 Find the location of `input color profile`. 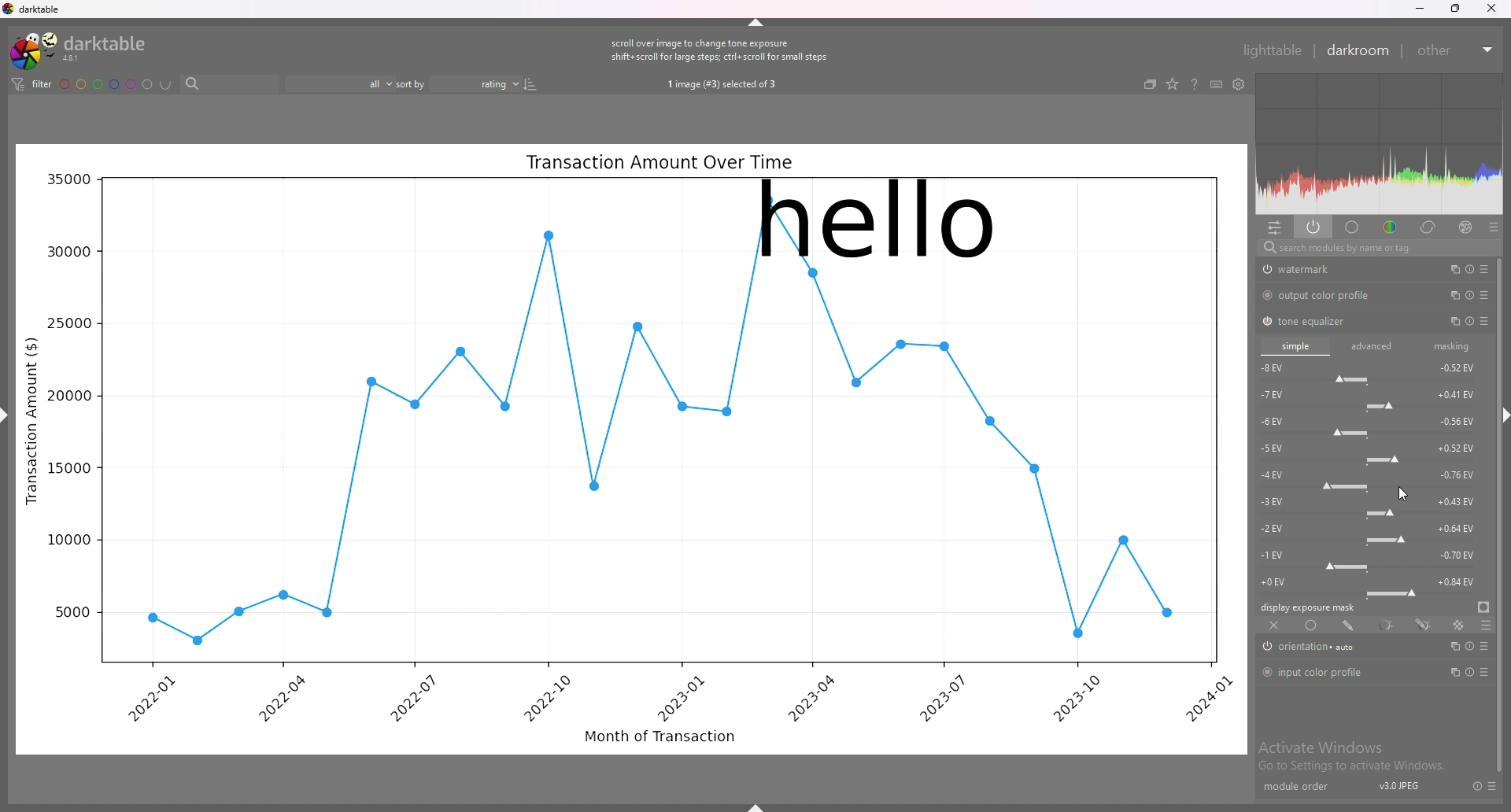

input color profile is located at coordinates (1325, 672).